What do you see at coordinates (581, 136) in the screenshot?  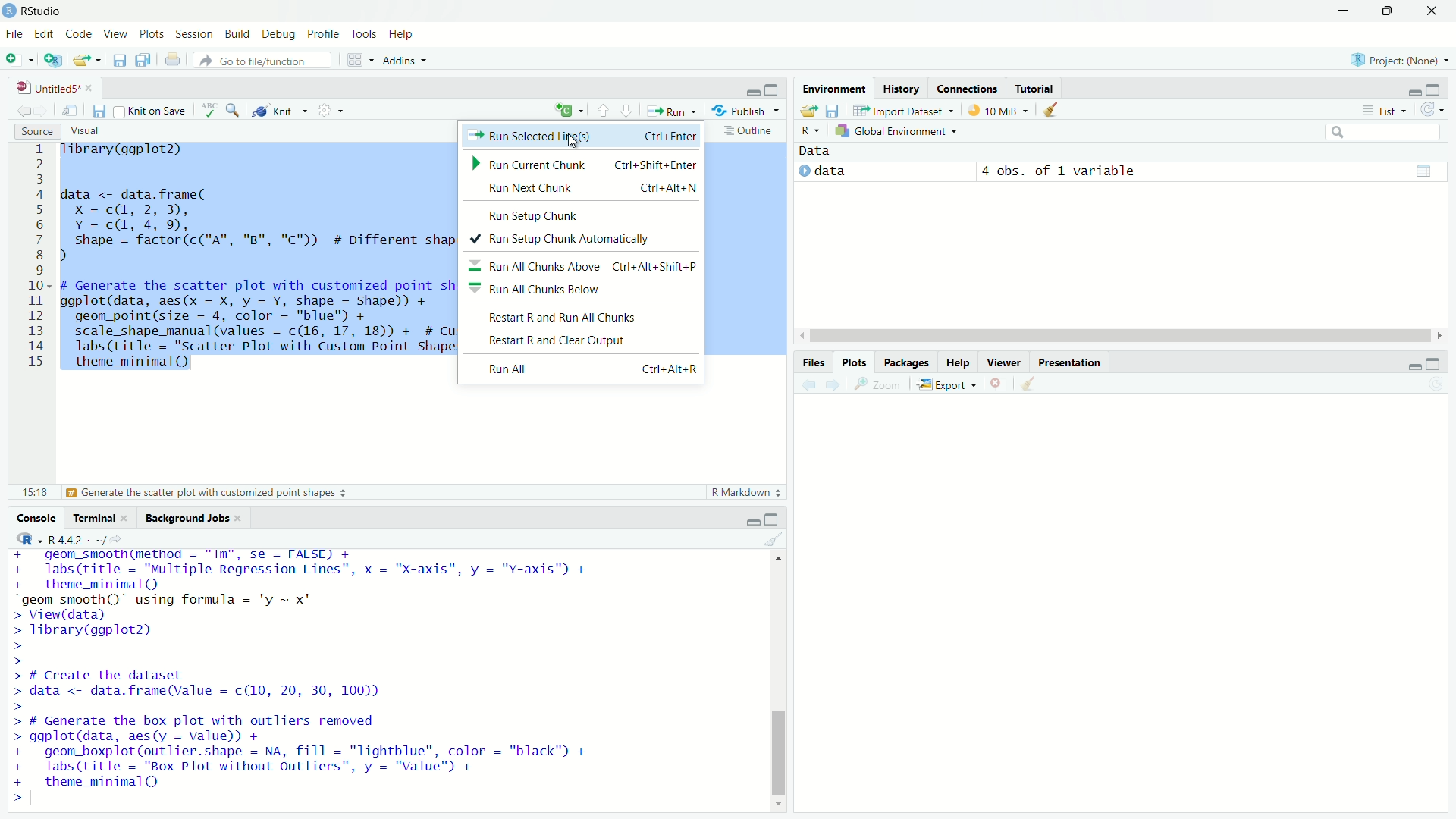 I see `Run Selected Line(s) Ctrl+Enter` at bounding box center [581, 136].